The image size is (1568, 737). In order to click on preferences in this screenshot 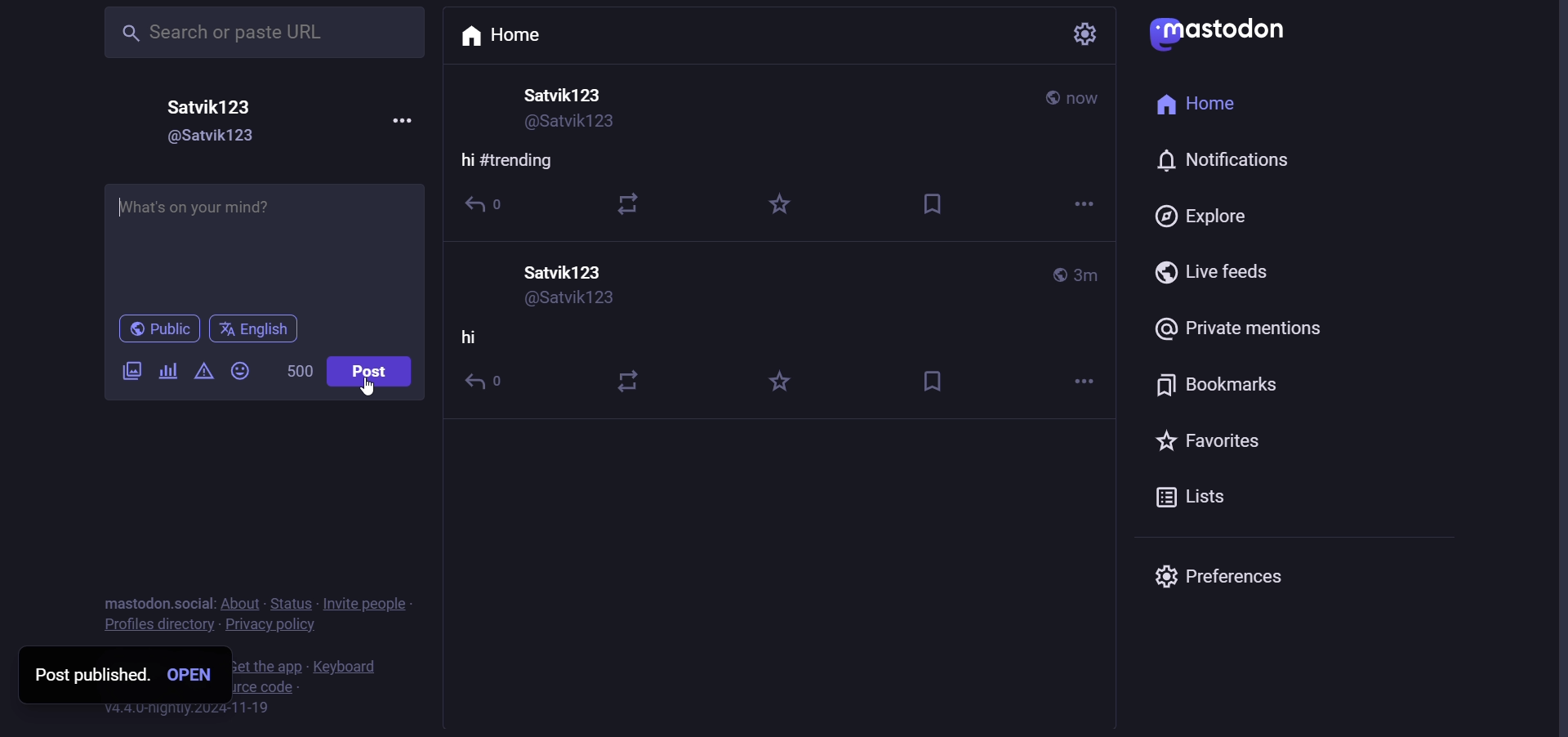, I will do `click(1219, 573)`.